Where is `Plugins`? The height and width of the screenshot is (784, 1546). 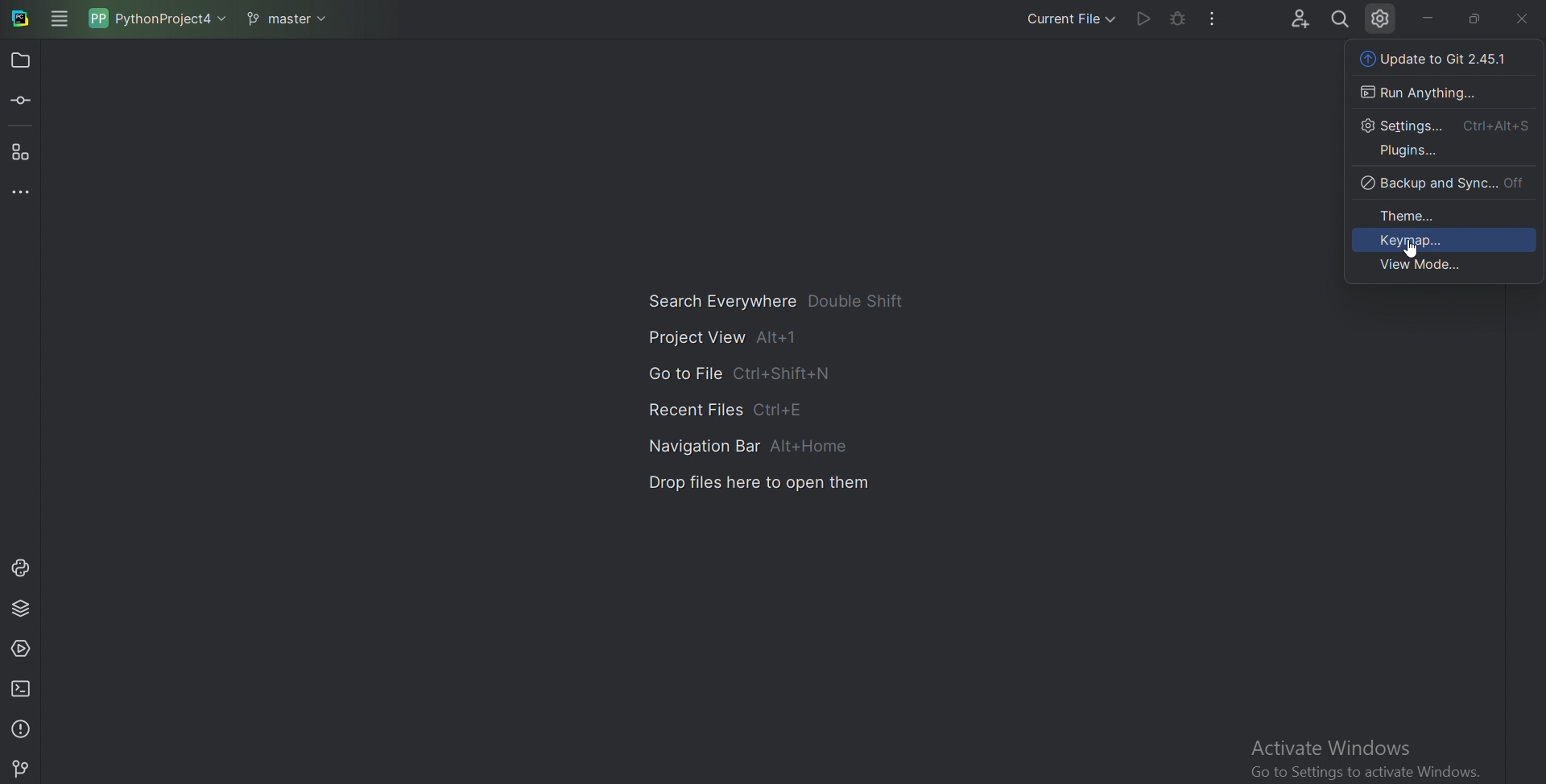 Plugins is located at coordinates (1403, 152).